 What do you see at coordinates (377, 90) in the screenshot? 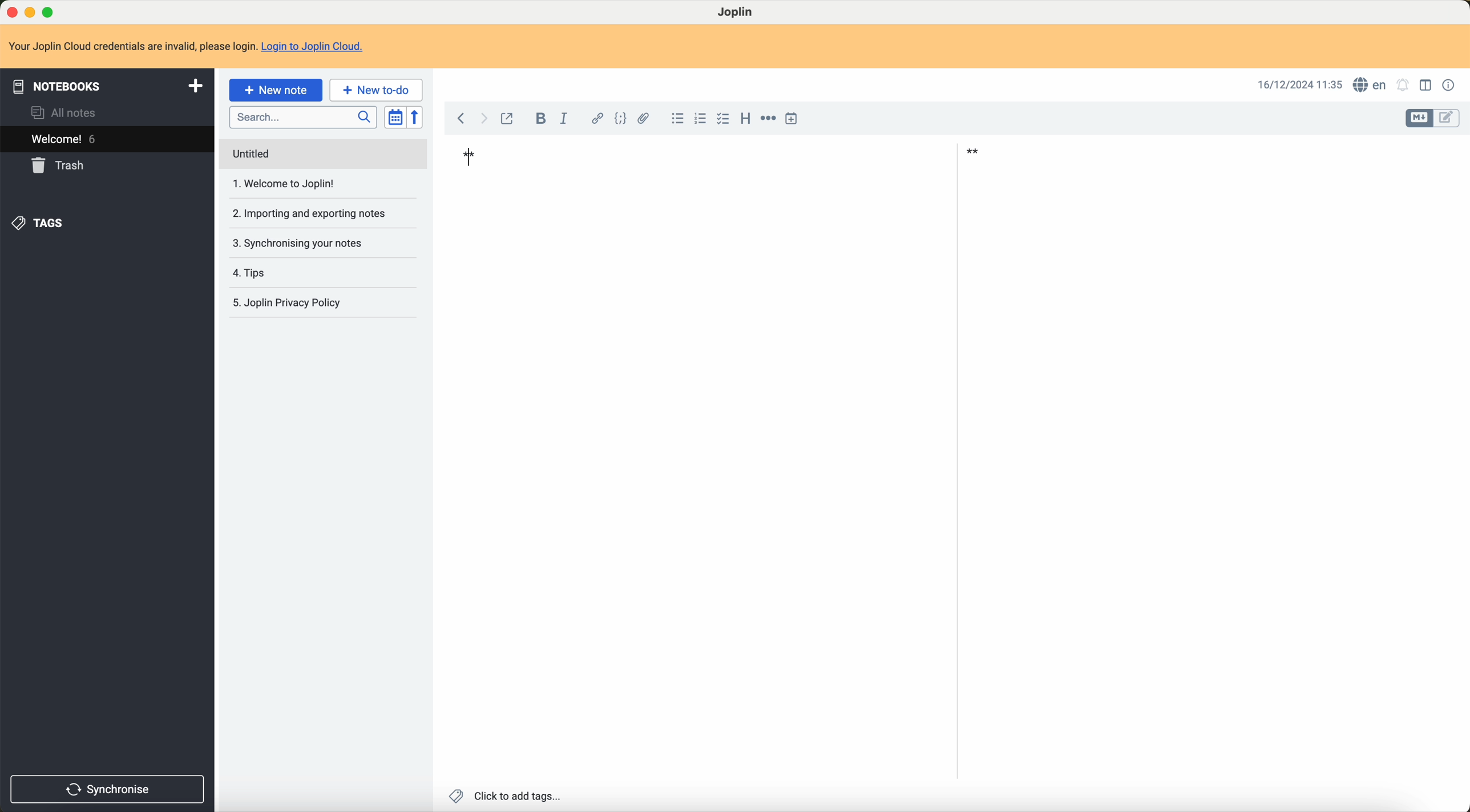
I see `new to-do` at bounding box center [377, 90].